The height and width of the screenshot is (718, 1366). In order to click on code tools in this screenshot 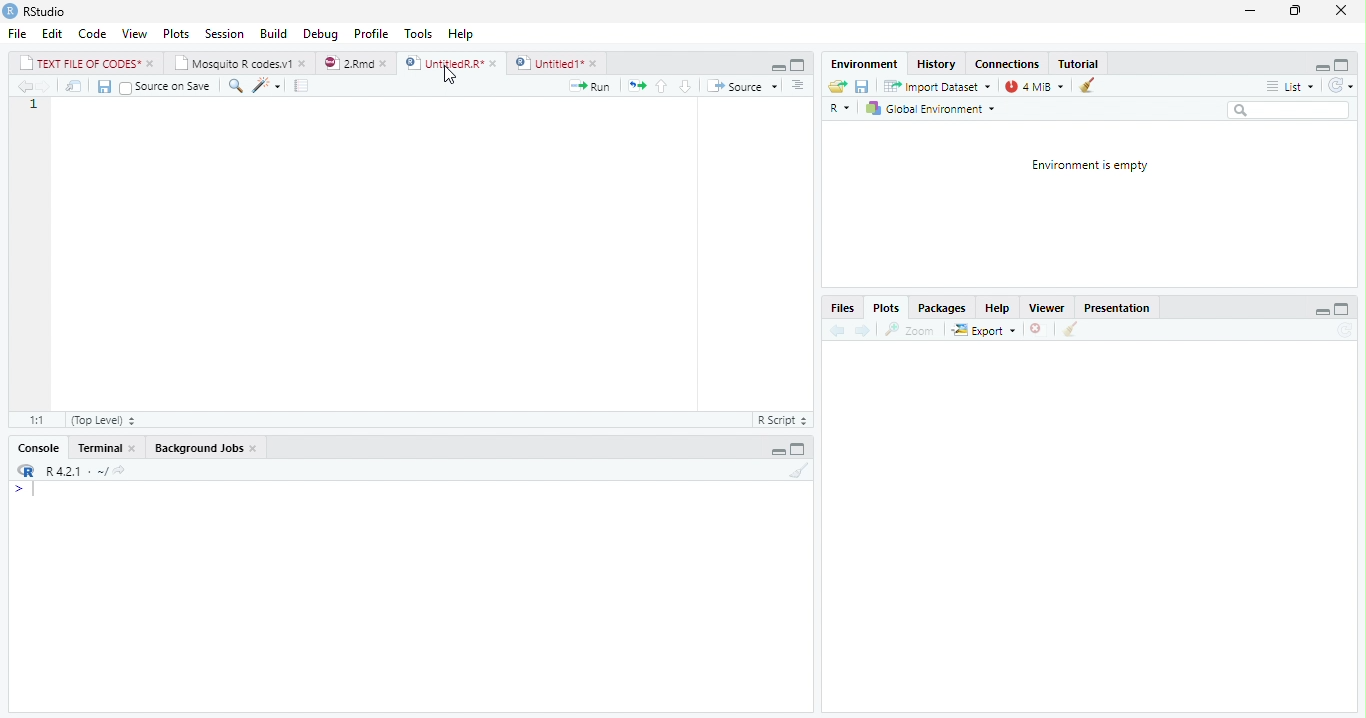, I will do `click(266, 89)`.